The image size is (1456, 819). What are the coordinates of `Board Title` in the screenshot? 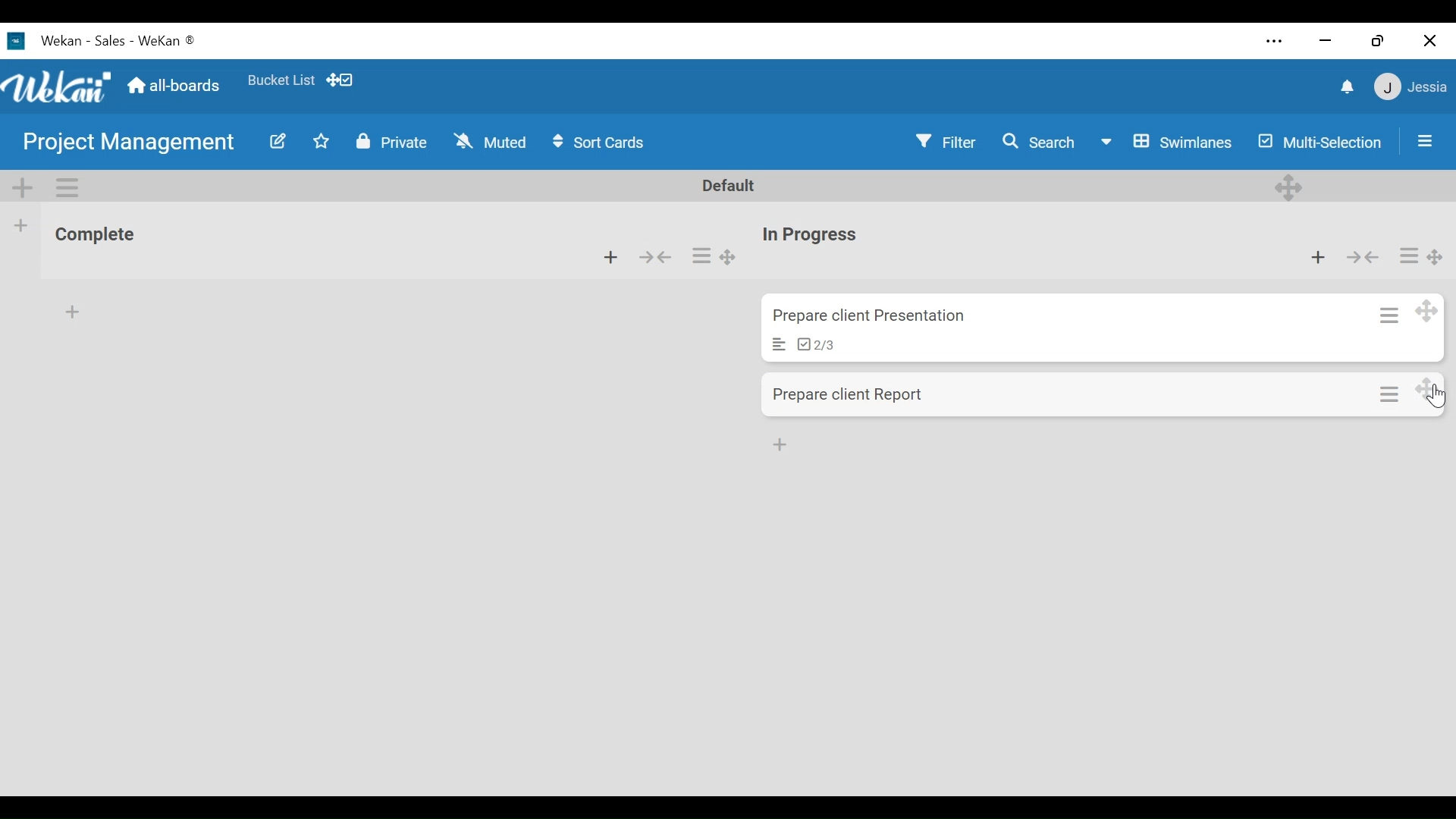 It's located at (128, 145).